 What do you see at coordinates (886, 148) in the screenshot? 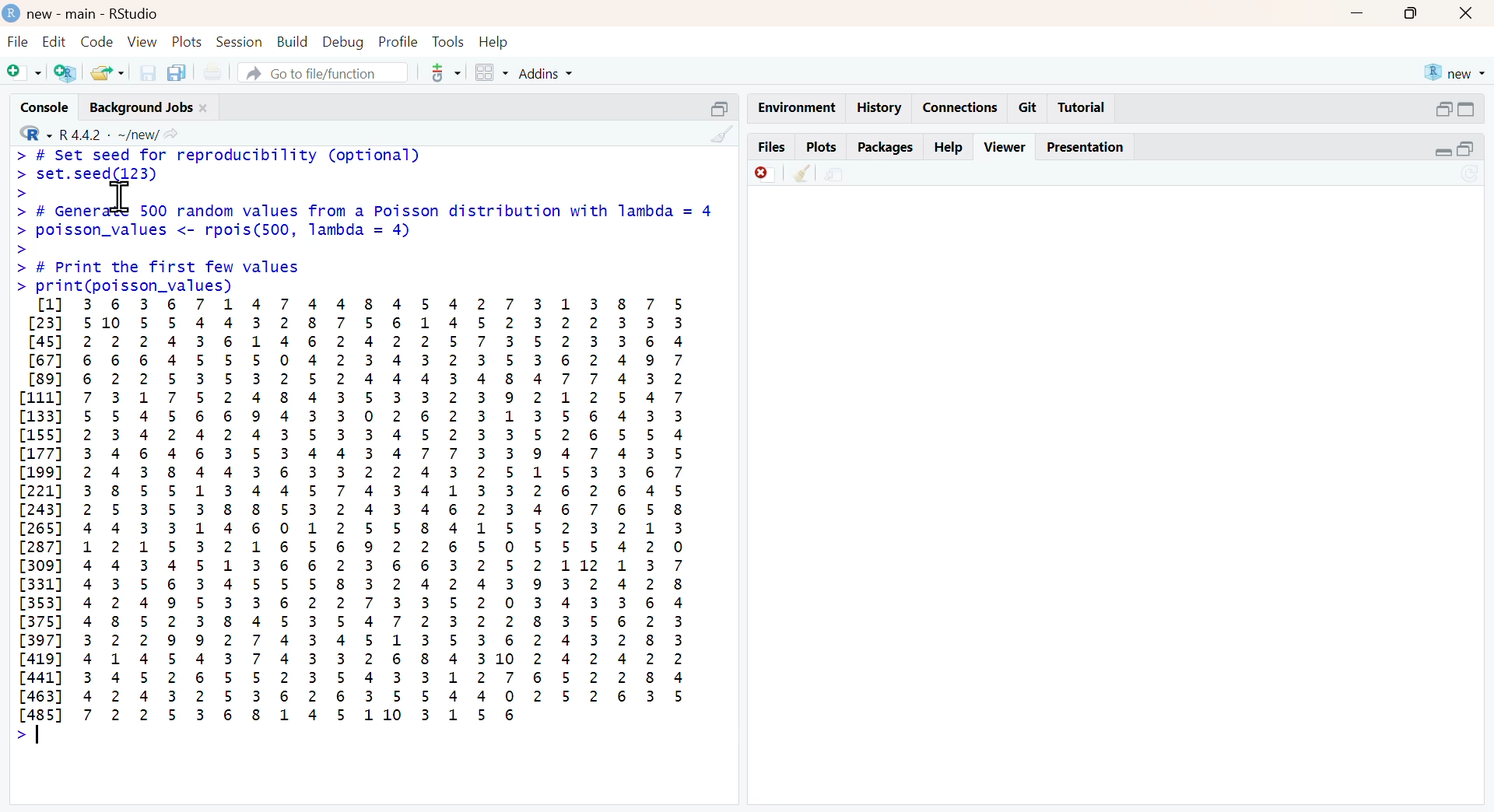
I see `packages` at bounding box center [886, 148].